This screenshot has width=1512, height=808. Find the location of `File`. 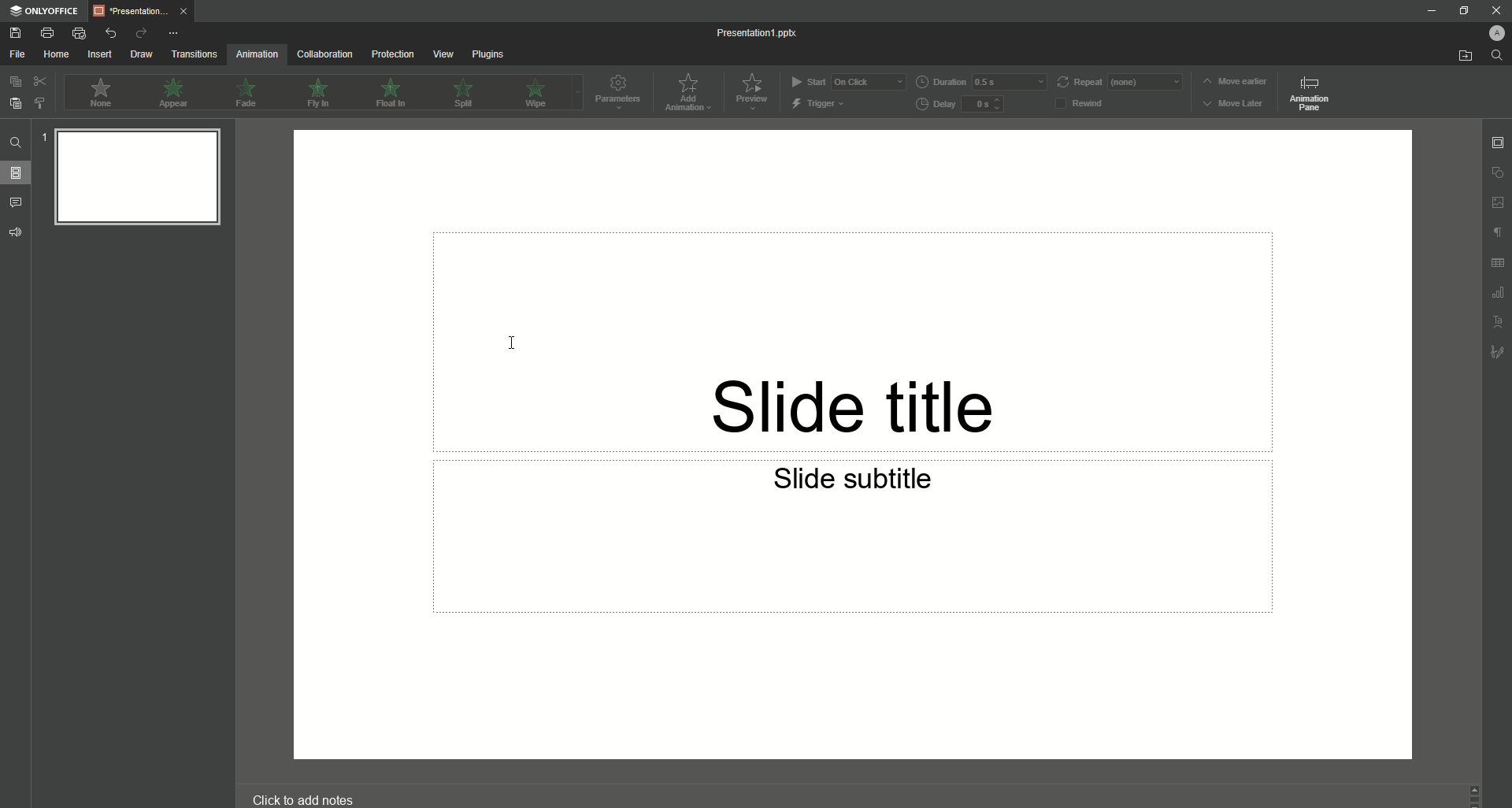

File is located at coordinates (15, 54).